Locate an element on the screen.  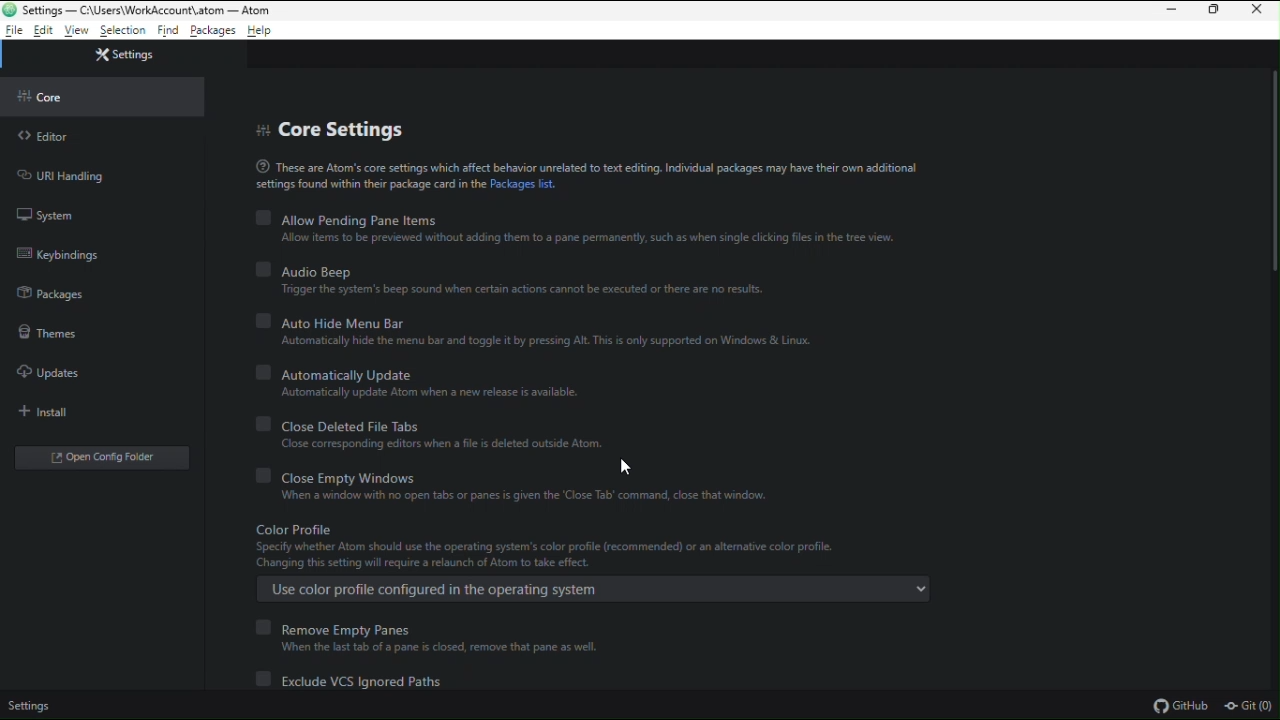
Remove empty panes is located at coordinates (431, 636).